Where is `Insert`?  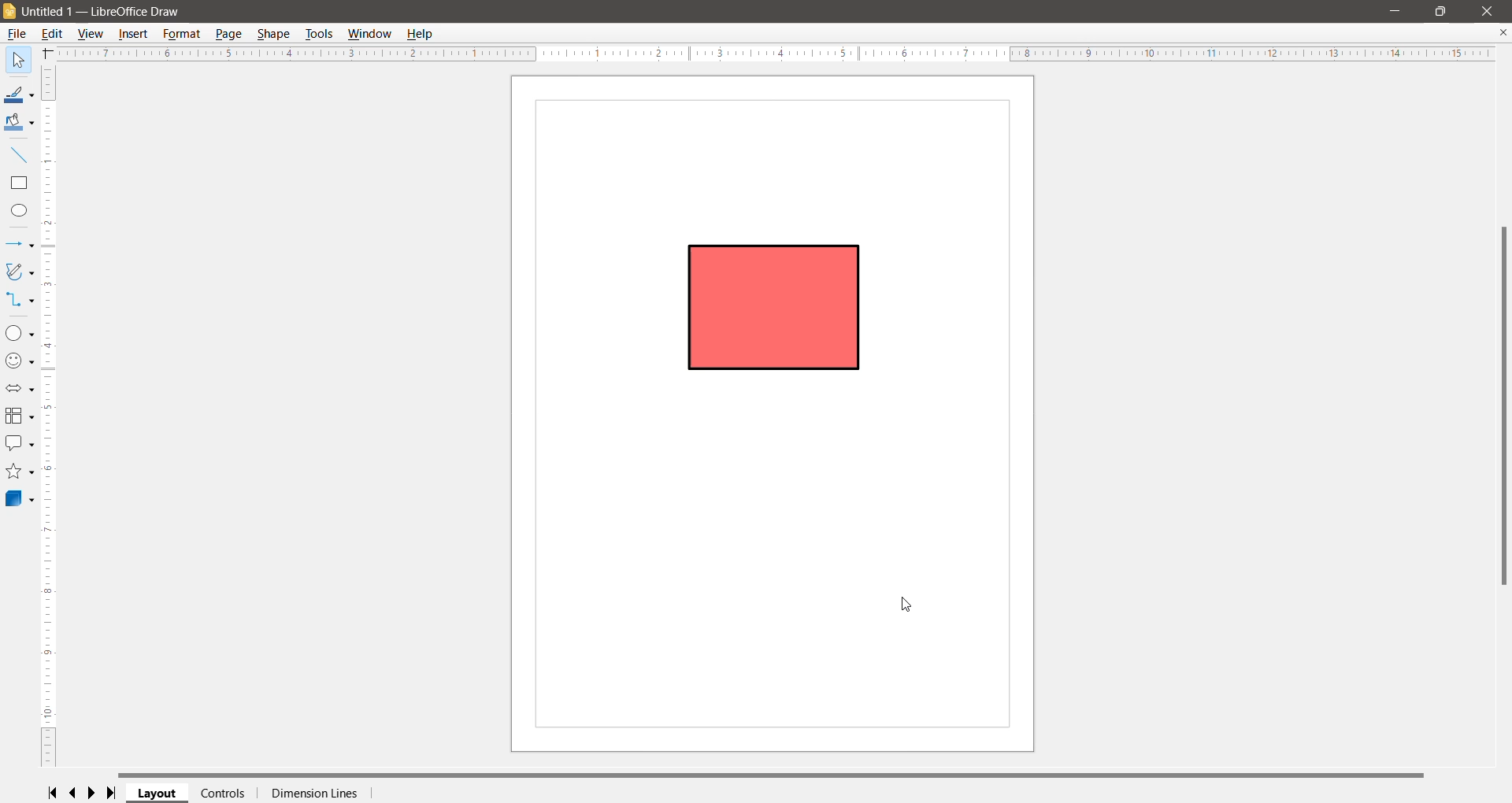 Insert is located at coordinates (135, 33).